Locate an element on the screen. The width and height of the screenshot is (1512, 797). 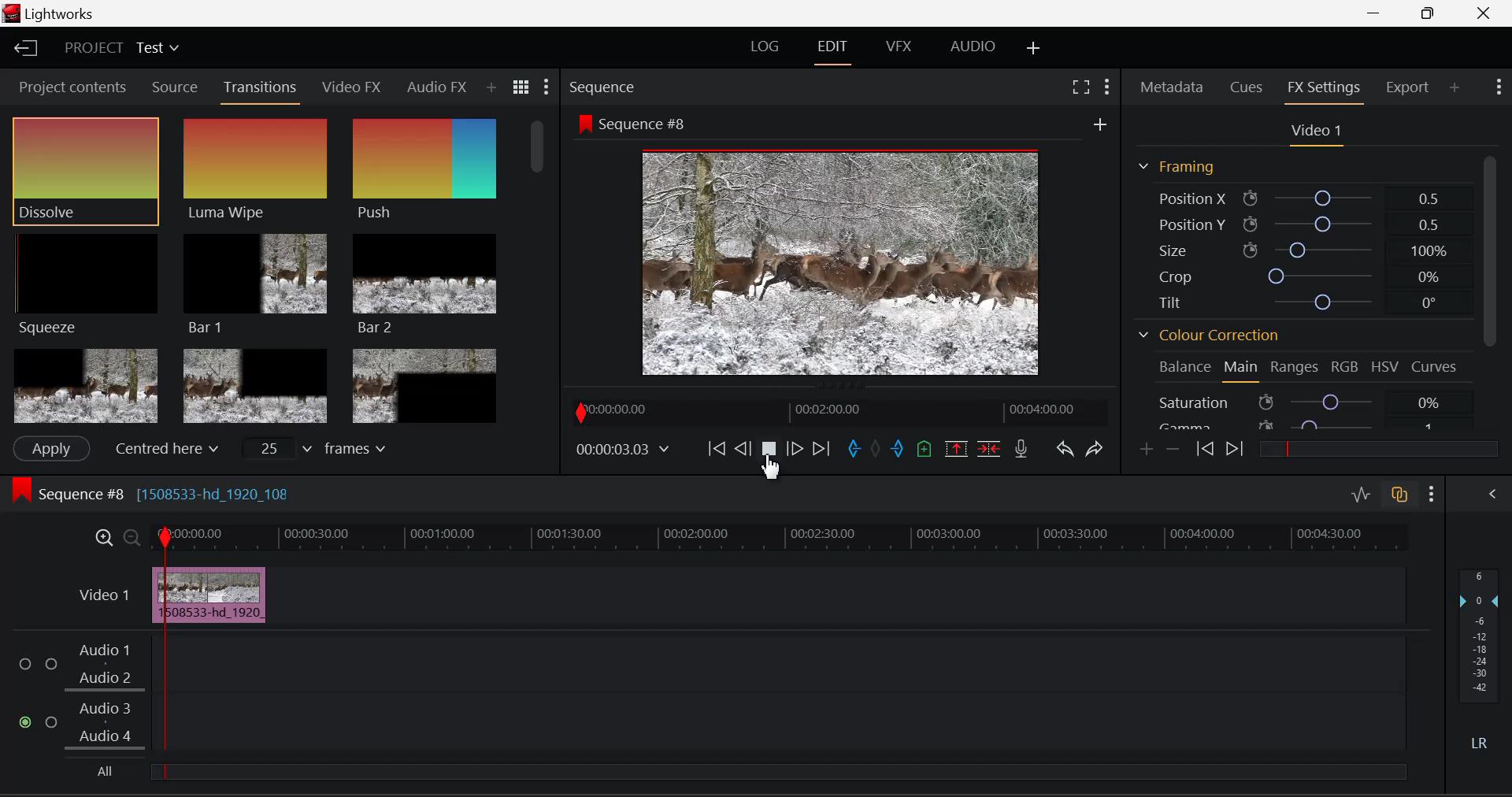
Scroll Bar is located at coordinates (541, 267).